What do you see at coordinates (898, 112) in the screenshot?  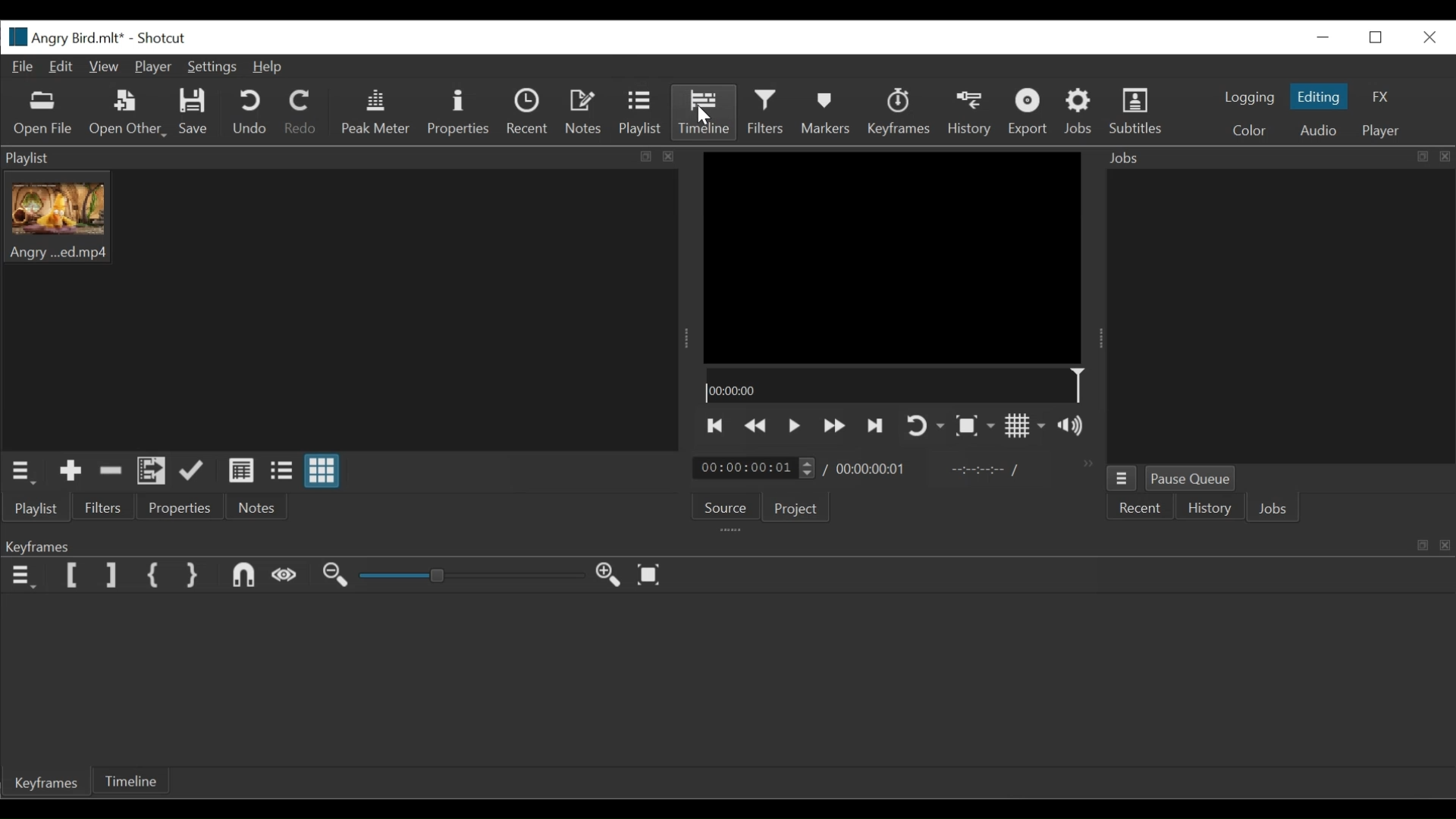 I see `keyframes` at bounding box center [898, 112].